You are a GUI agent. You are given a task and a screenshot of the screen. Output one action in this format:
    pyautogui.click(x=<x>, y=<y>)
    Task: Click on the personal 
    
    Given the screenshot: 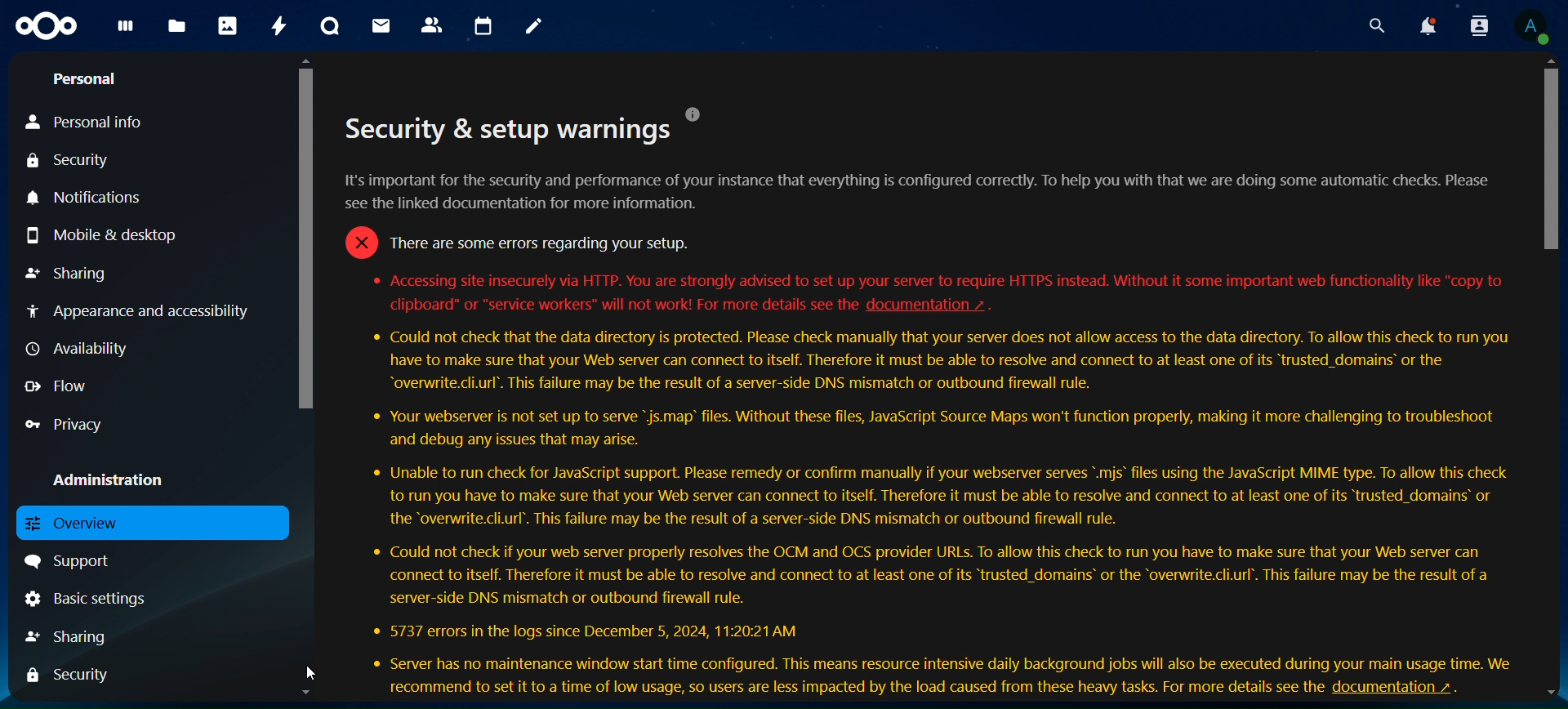 What is the action you would take?
    pyautogui.click(x=85, y=78)
    